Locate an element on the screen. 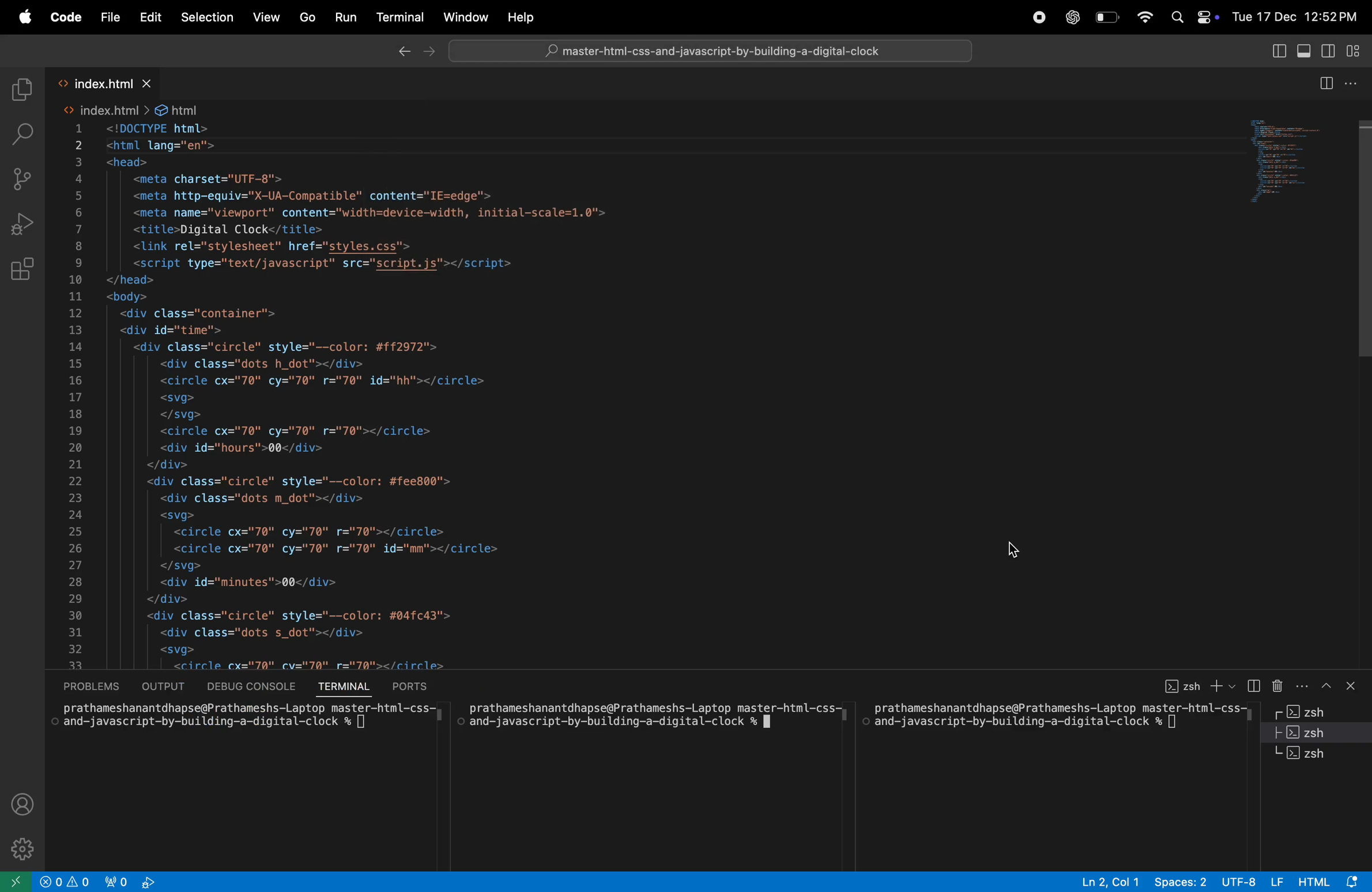  terminal is located at coordinates (401, 18).